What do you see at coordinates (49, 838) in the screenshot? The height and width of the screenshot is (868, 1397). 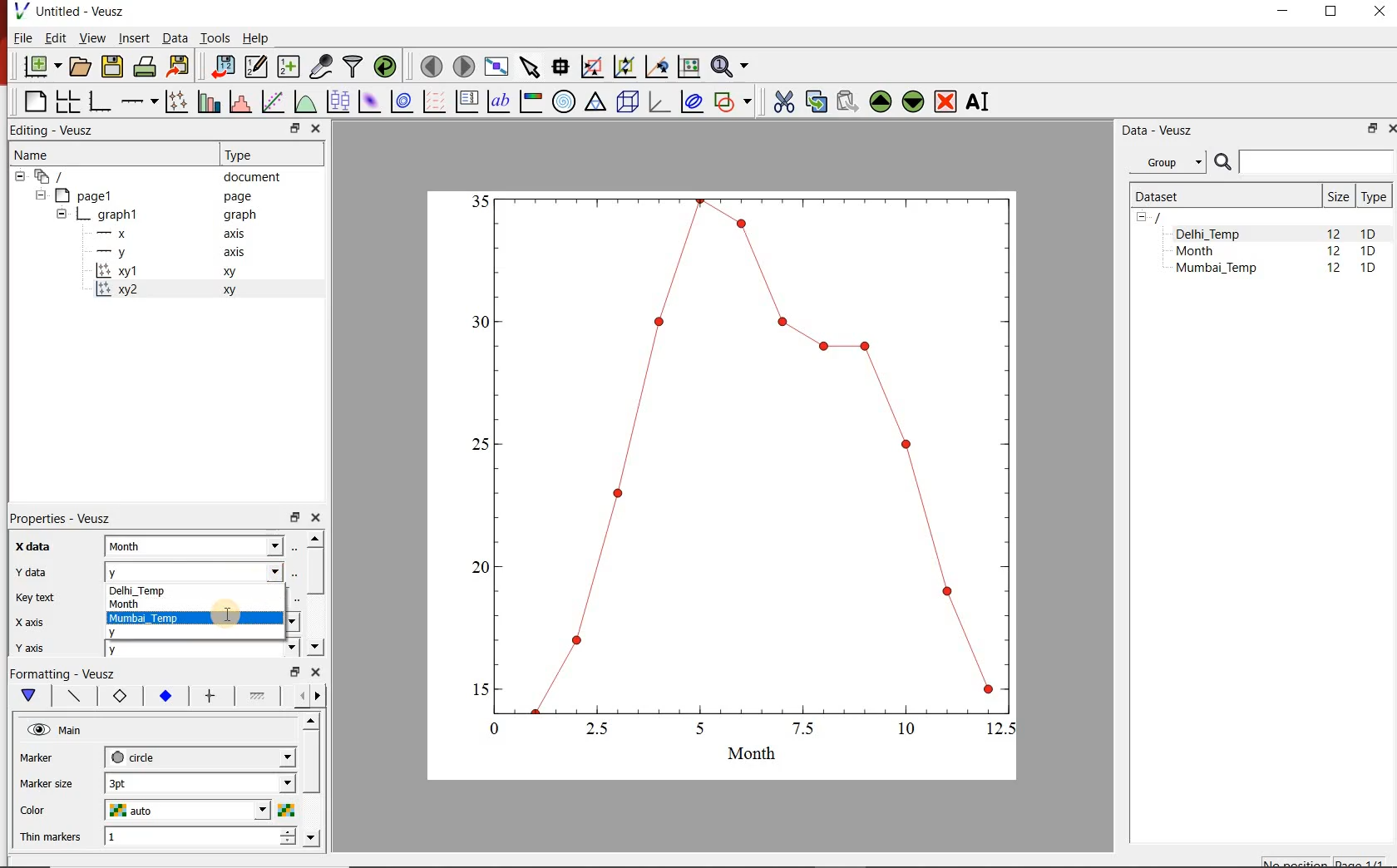 I see `Thin markers` at bounding box center [49, 838].